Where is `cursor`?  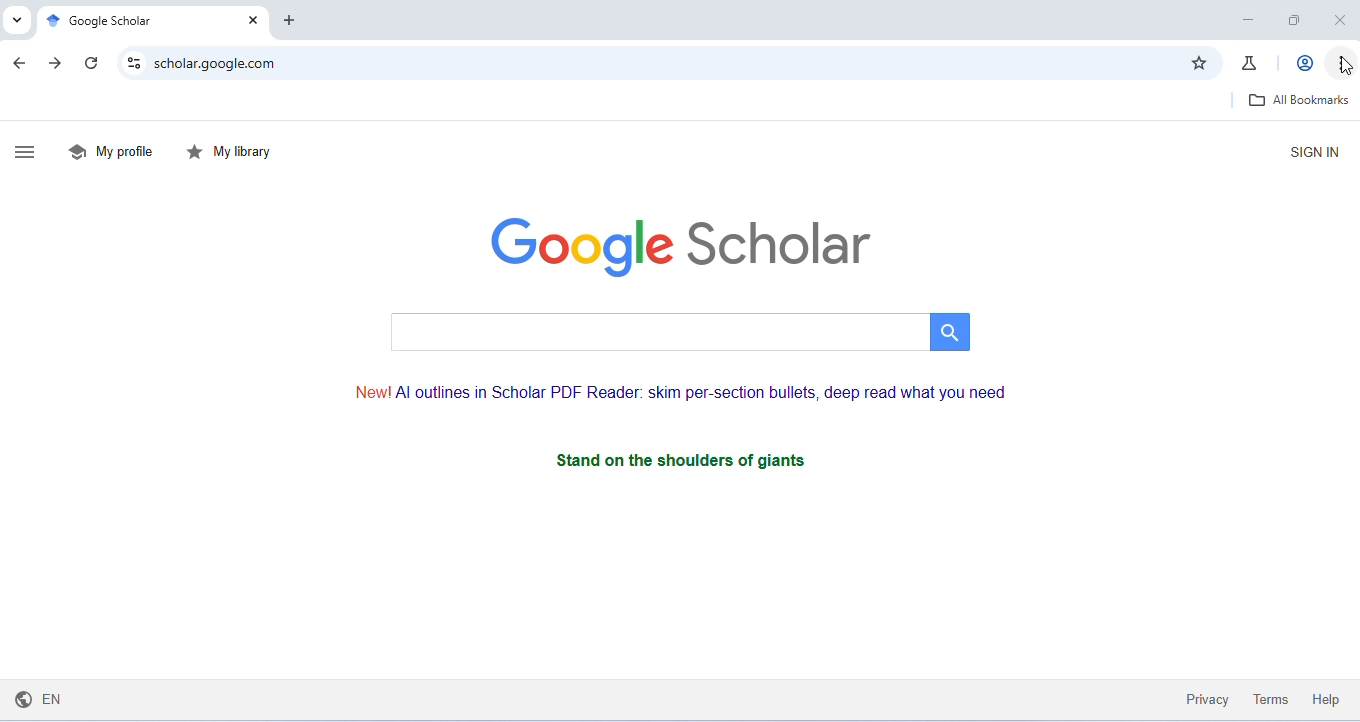 cursor is located at coordinates (1343, 65).